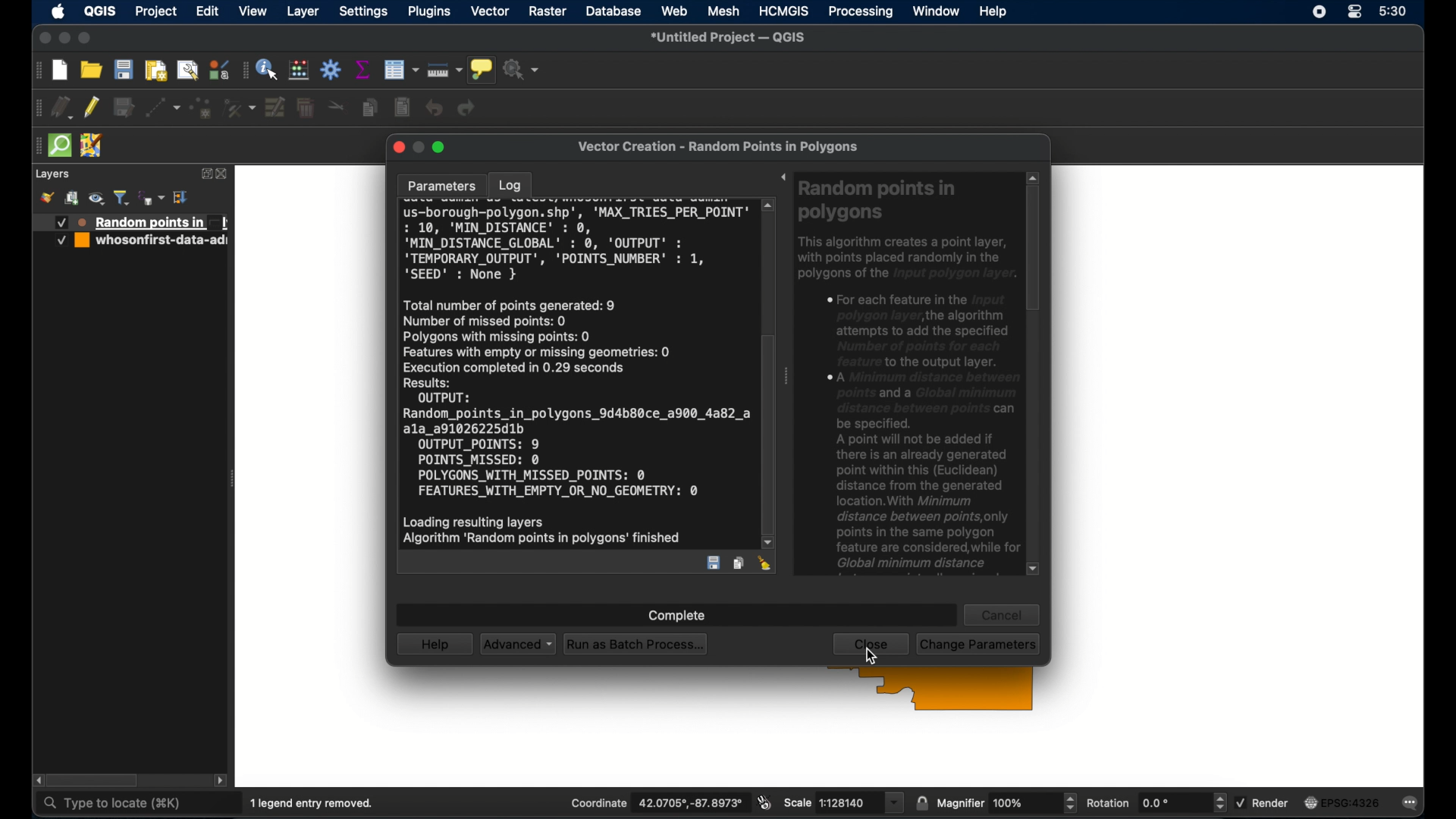 The image size is (1456, 819). What do you see at coordinates (937, 12) in the screenshot?
I see `window` at bounding box center [937, 12].